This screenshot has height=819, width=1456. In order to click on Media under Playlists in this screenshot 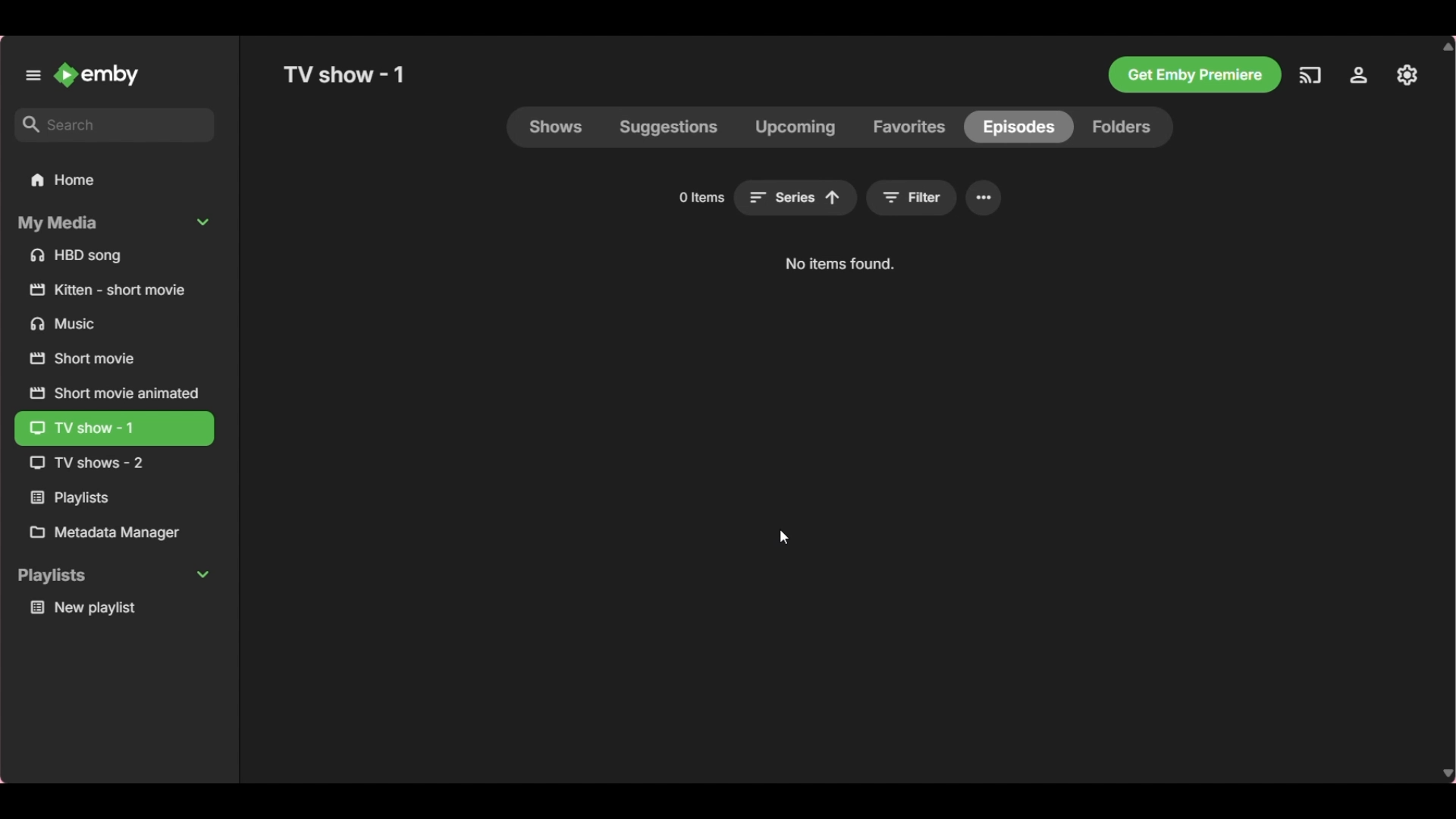, I will do `click(115, 607)`.